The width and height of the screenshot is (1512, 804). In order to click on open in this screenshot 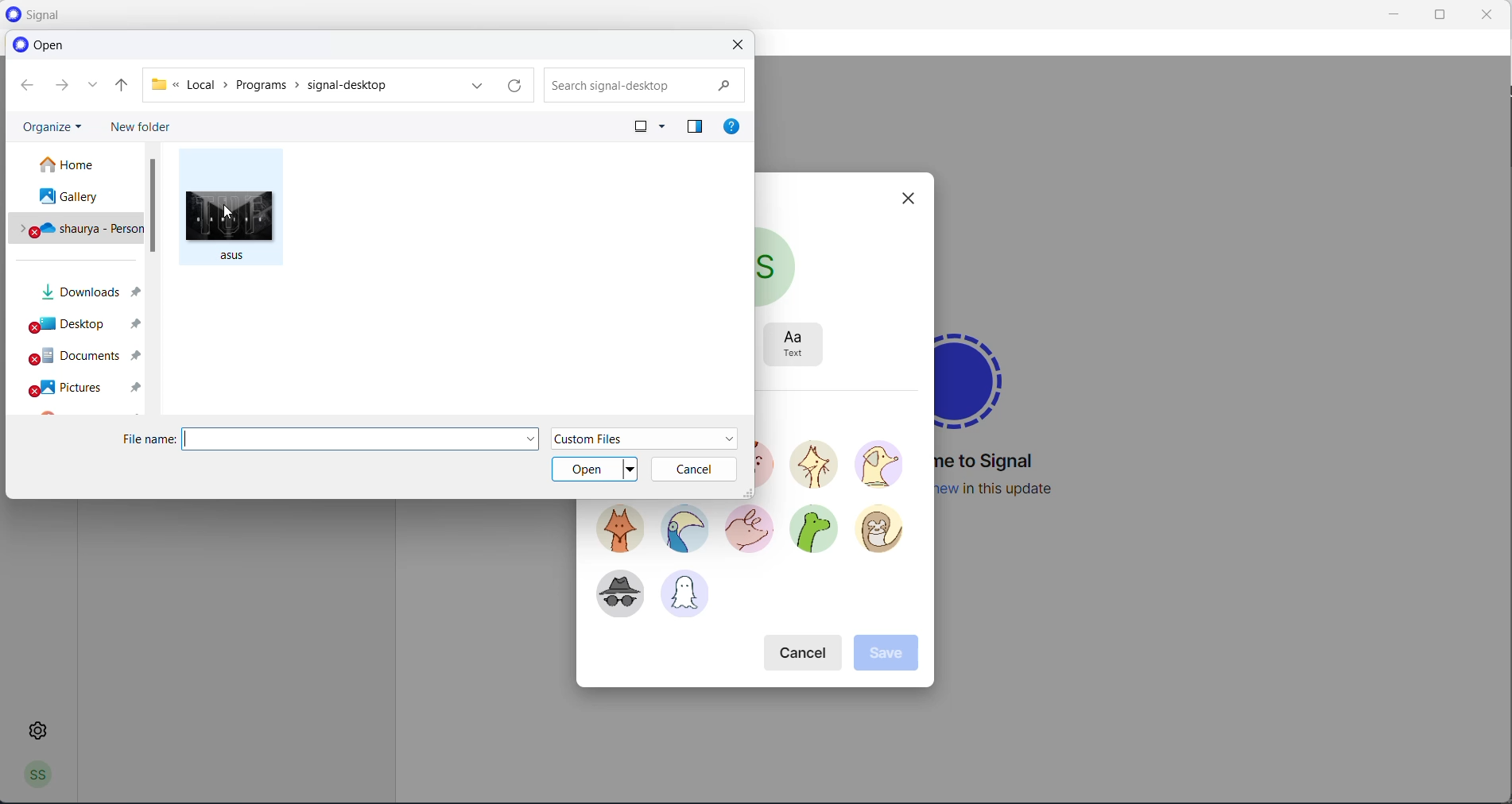, I will do `click(584, 470)`.